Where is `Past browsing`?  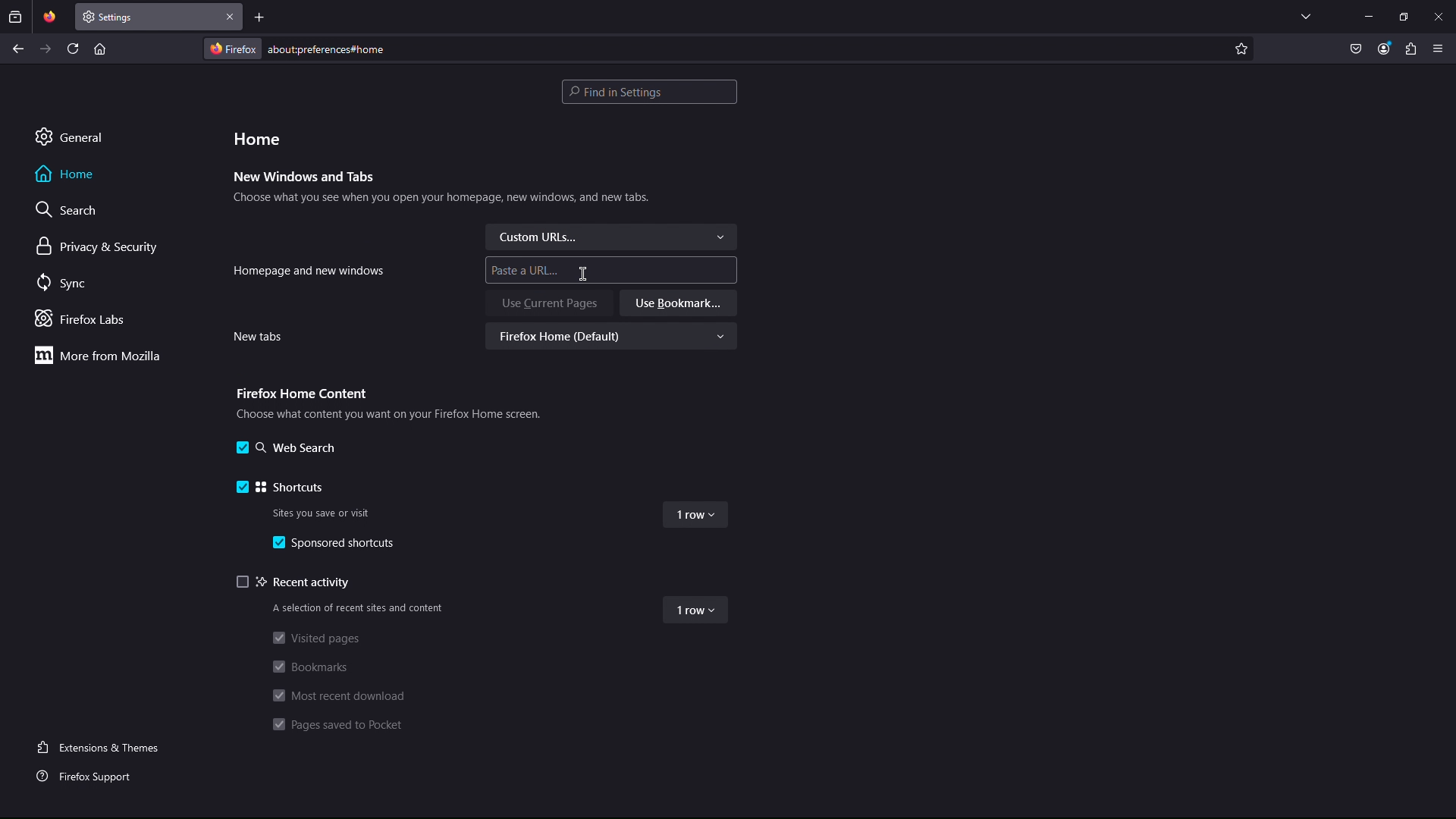 Past browsing is located at coordinates (15, 17).